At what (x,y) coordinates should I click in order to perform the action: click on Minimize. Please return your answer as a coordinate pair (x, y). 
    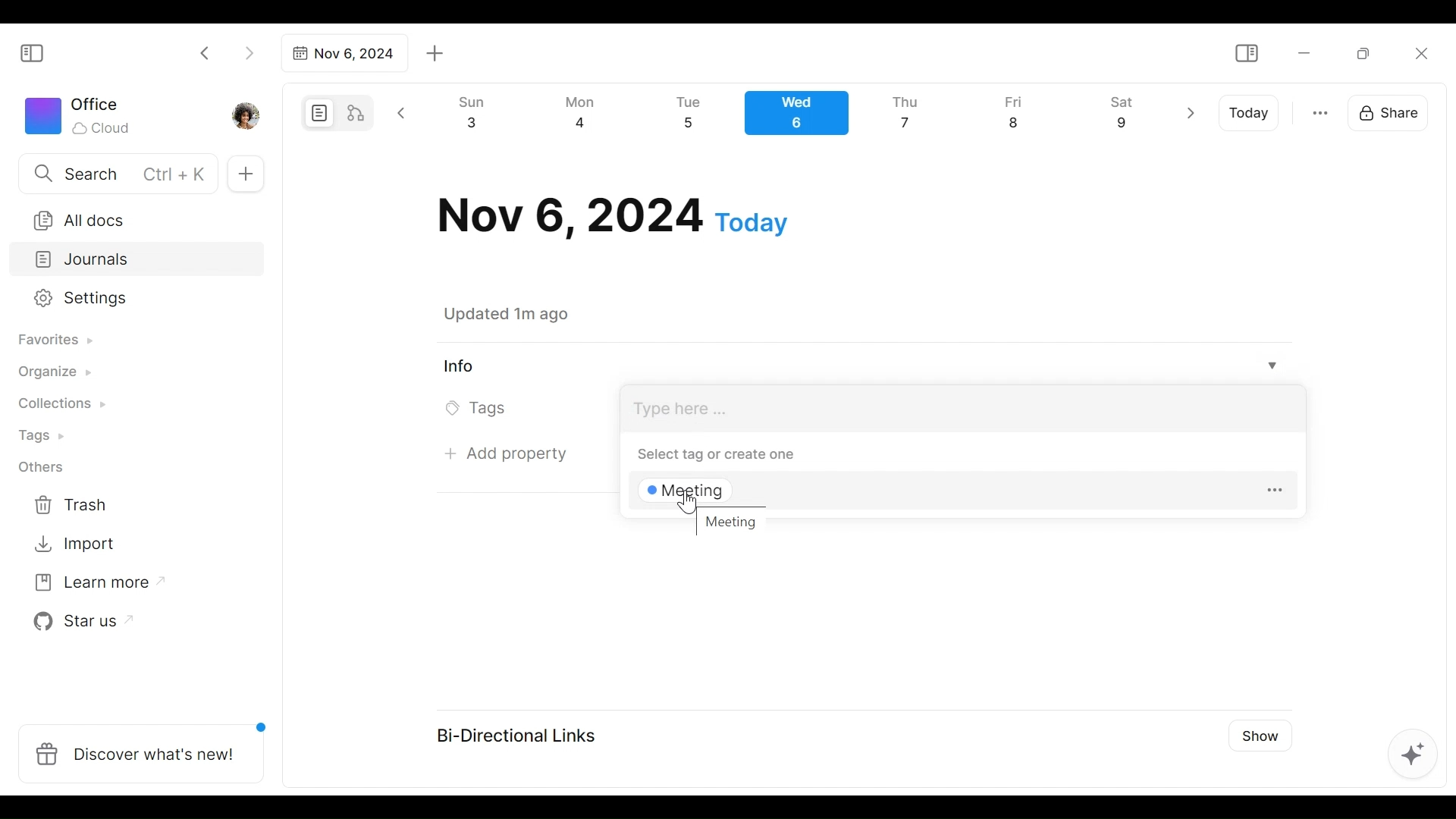
    Looking at the image, I should click on (1304, 52).